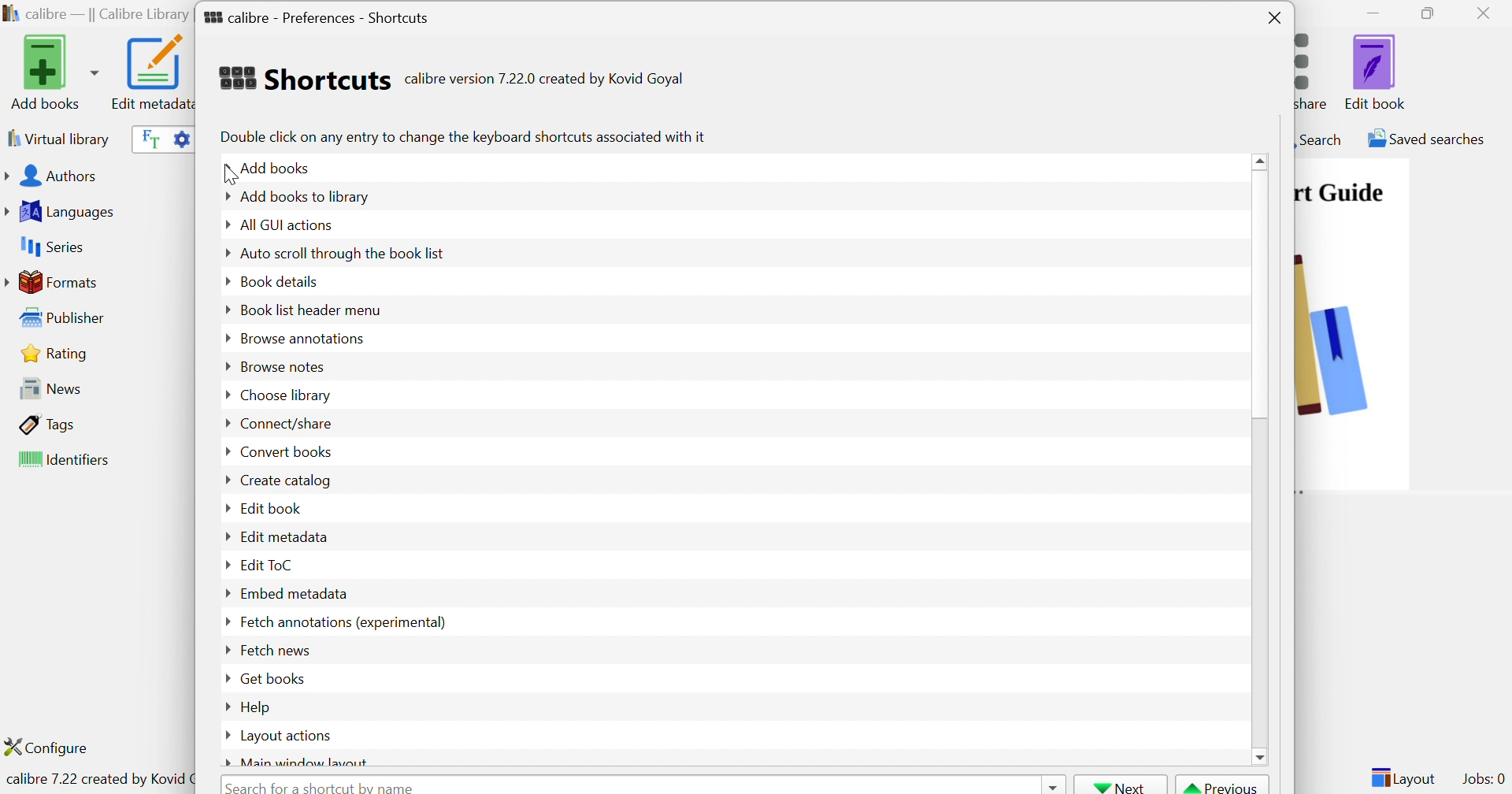 The width and height of the screenshot is (1512, 794). What do you see at coordinates (273, 677) in the screenshot?
I see `Get books` at bounding box center [273, 677].